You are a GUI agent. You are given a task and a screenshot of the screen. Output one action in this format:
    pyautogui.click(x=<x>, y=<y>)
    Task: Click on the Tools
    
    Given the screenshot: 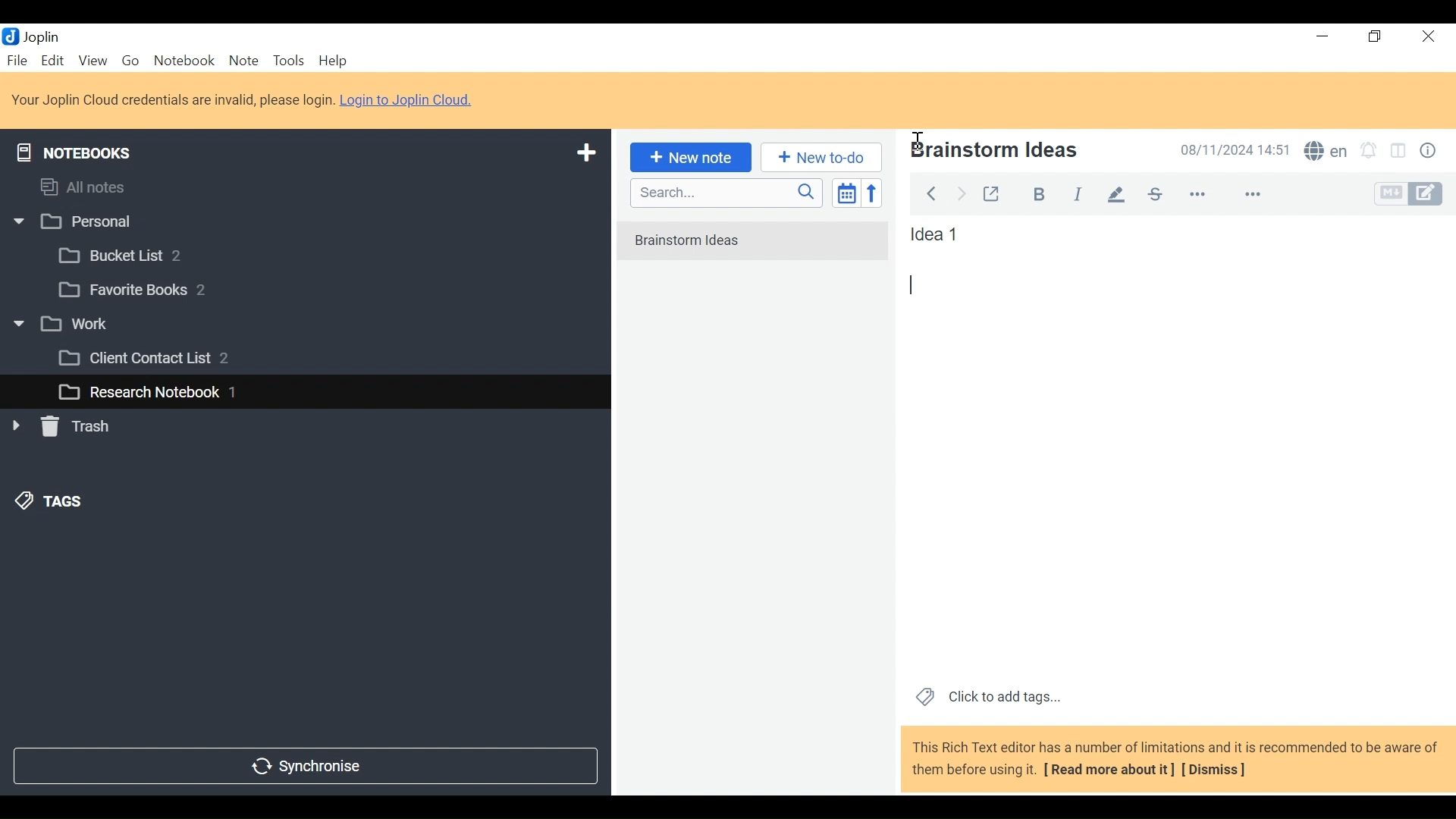 What is the action you would take?
    pyautogui.click(x=287, y=61)
    